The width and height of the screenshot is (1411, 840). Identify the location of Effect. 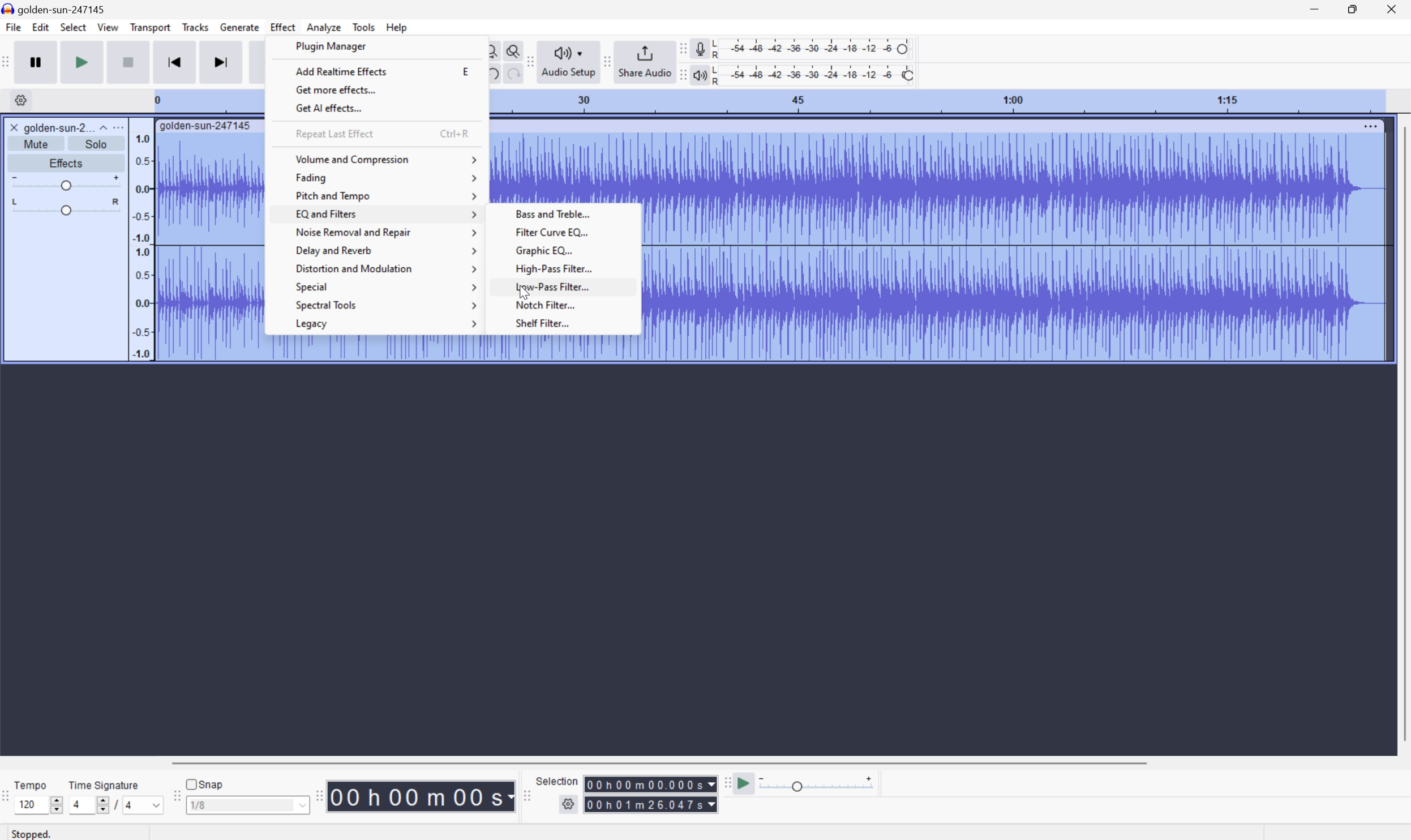
(283, 26).